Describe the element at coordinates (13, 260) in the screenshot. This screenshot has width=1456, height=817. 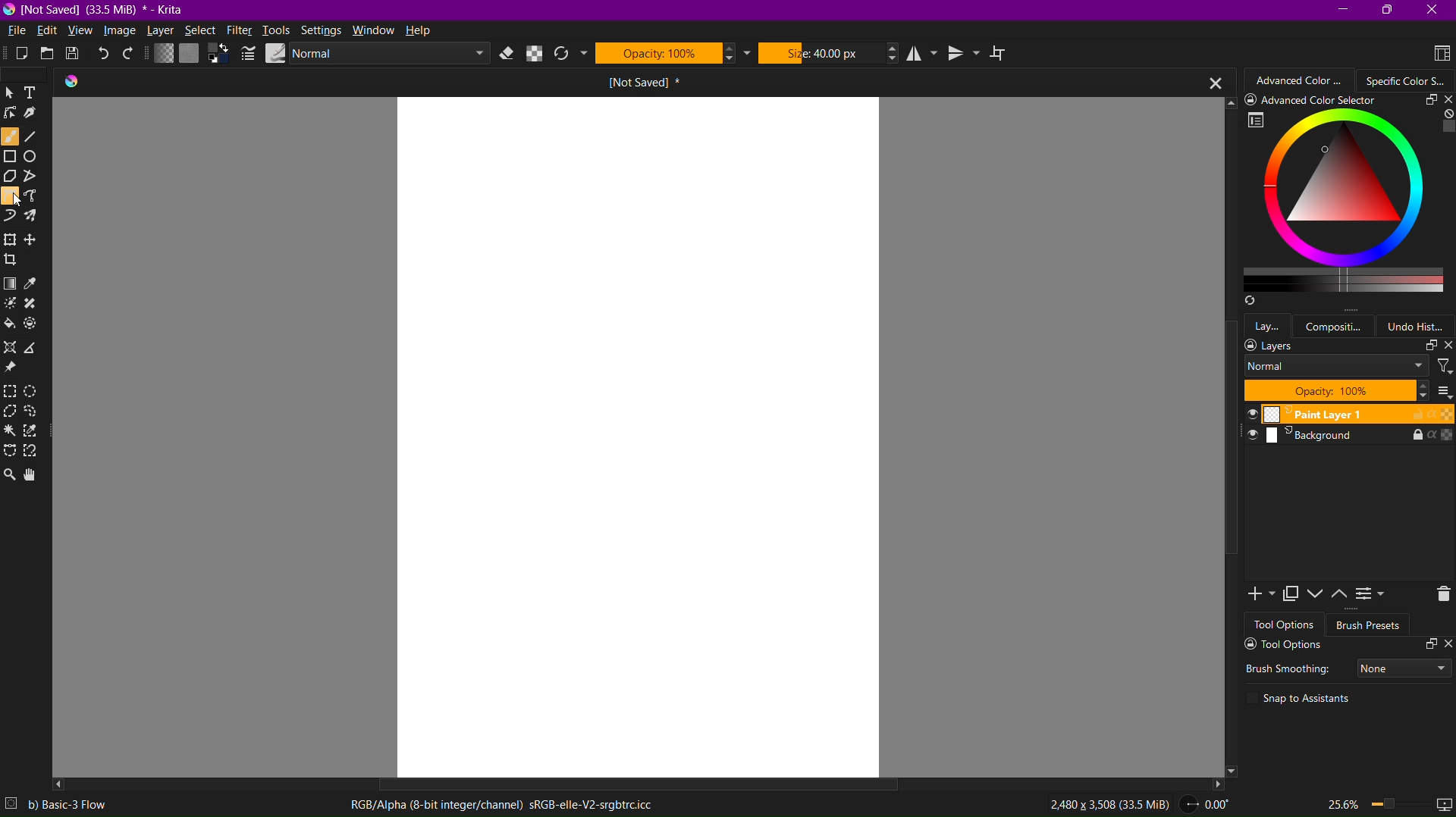
I see `Crop the image` at that location.